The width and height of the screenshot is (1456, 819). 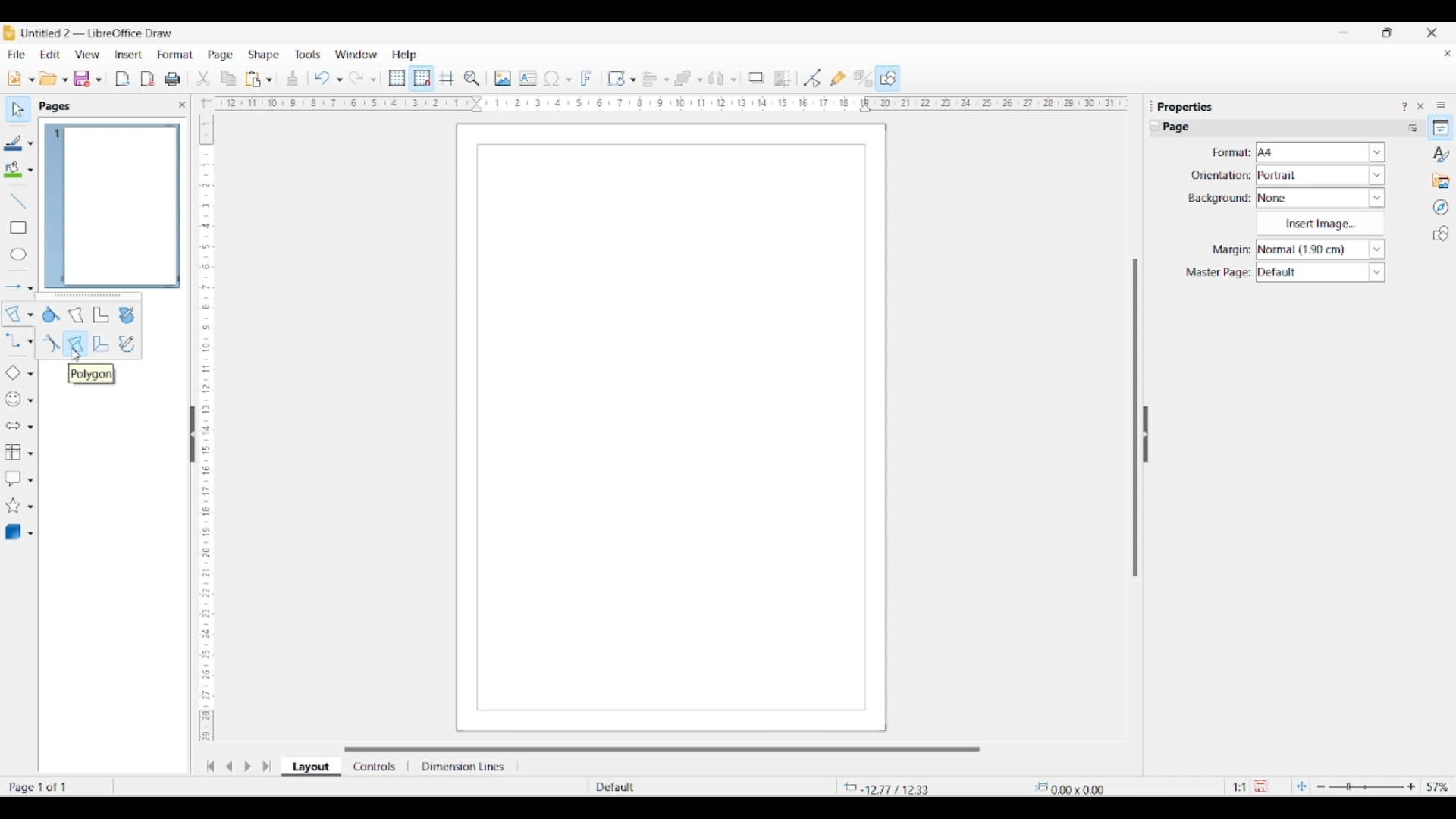 I want to click on Show draw functions, so click(x=888, y=77).